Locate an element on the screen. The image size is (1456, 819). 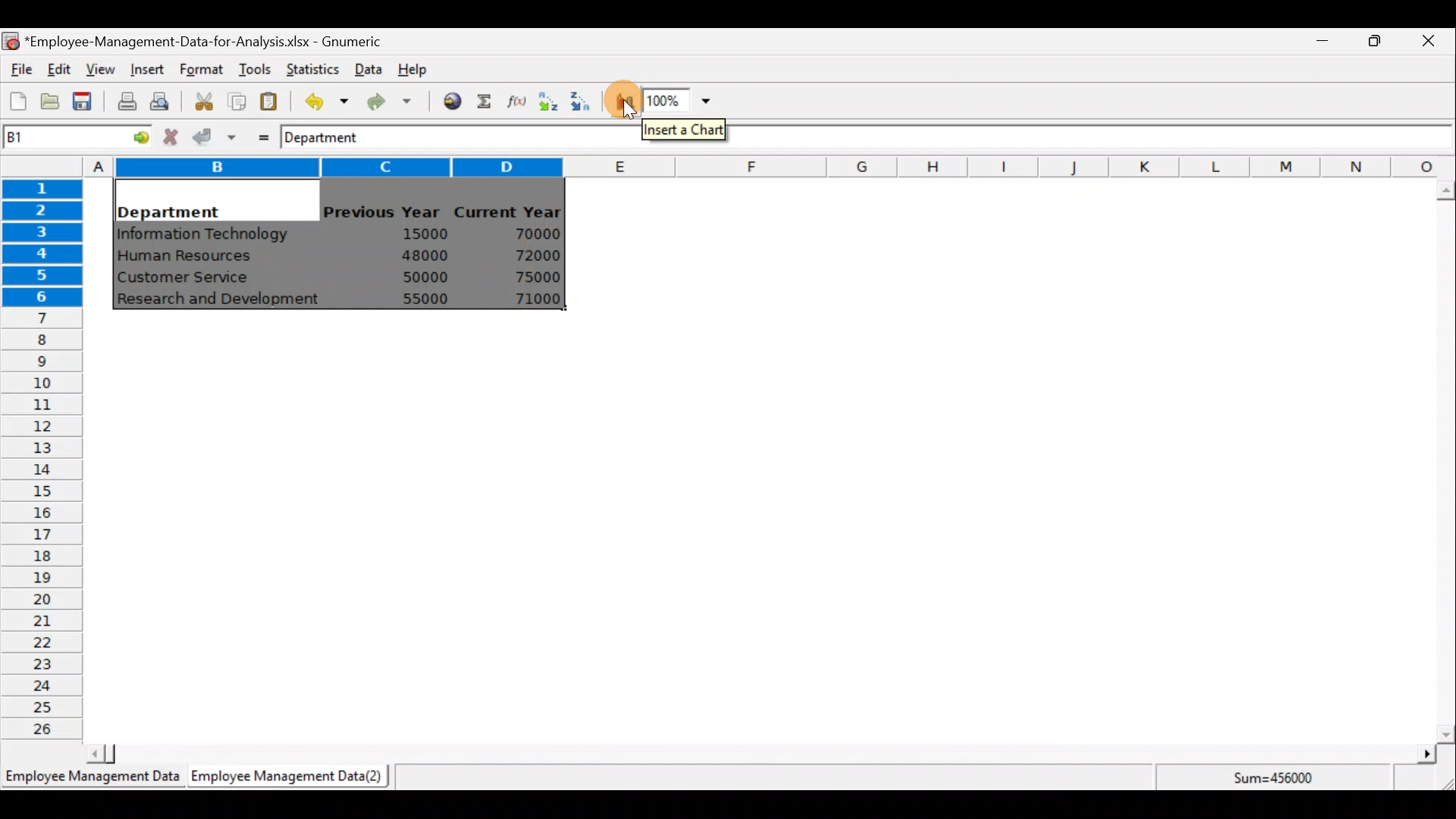
Paste the clipboard is located at coordinates (268, 101).